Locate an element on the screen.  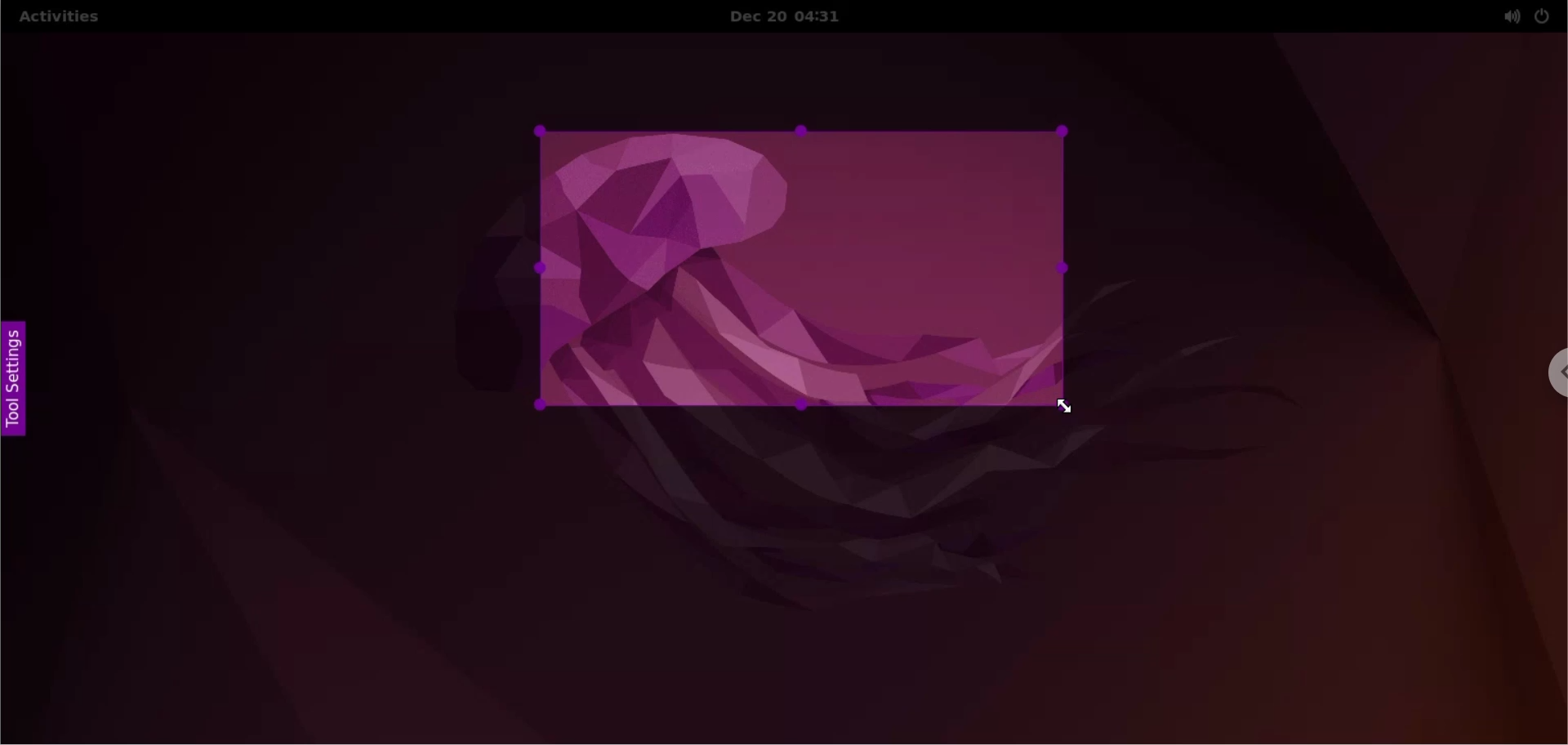
chrome options is located at coordinates (1555, 373).